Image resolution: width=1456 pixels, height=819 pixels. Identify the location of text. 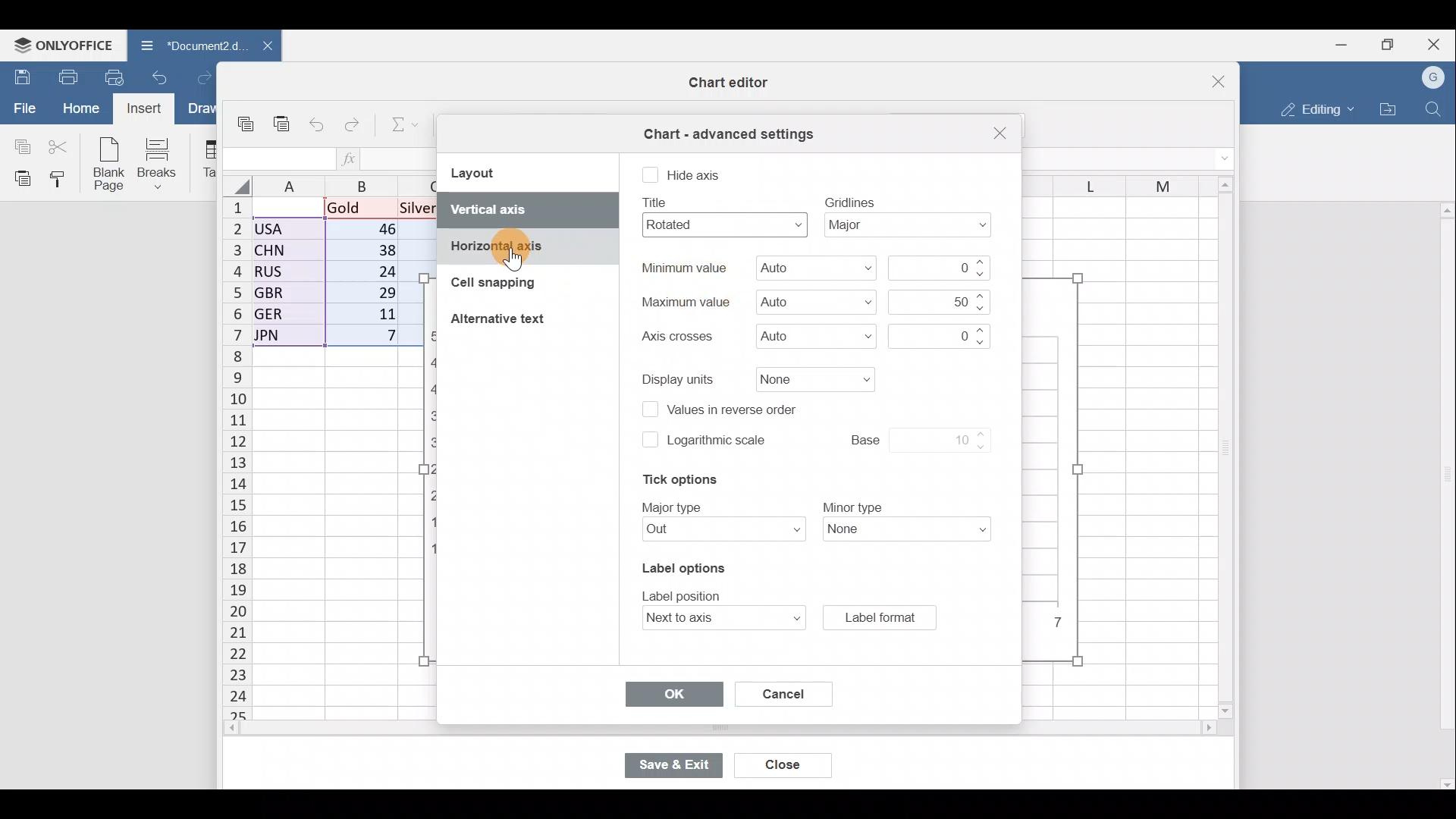
(674, 506).